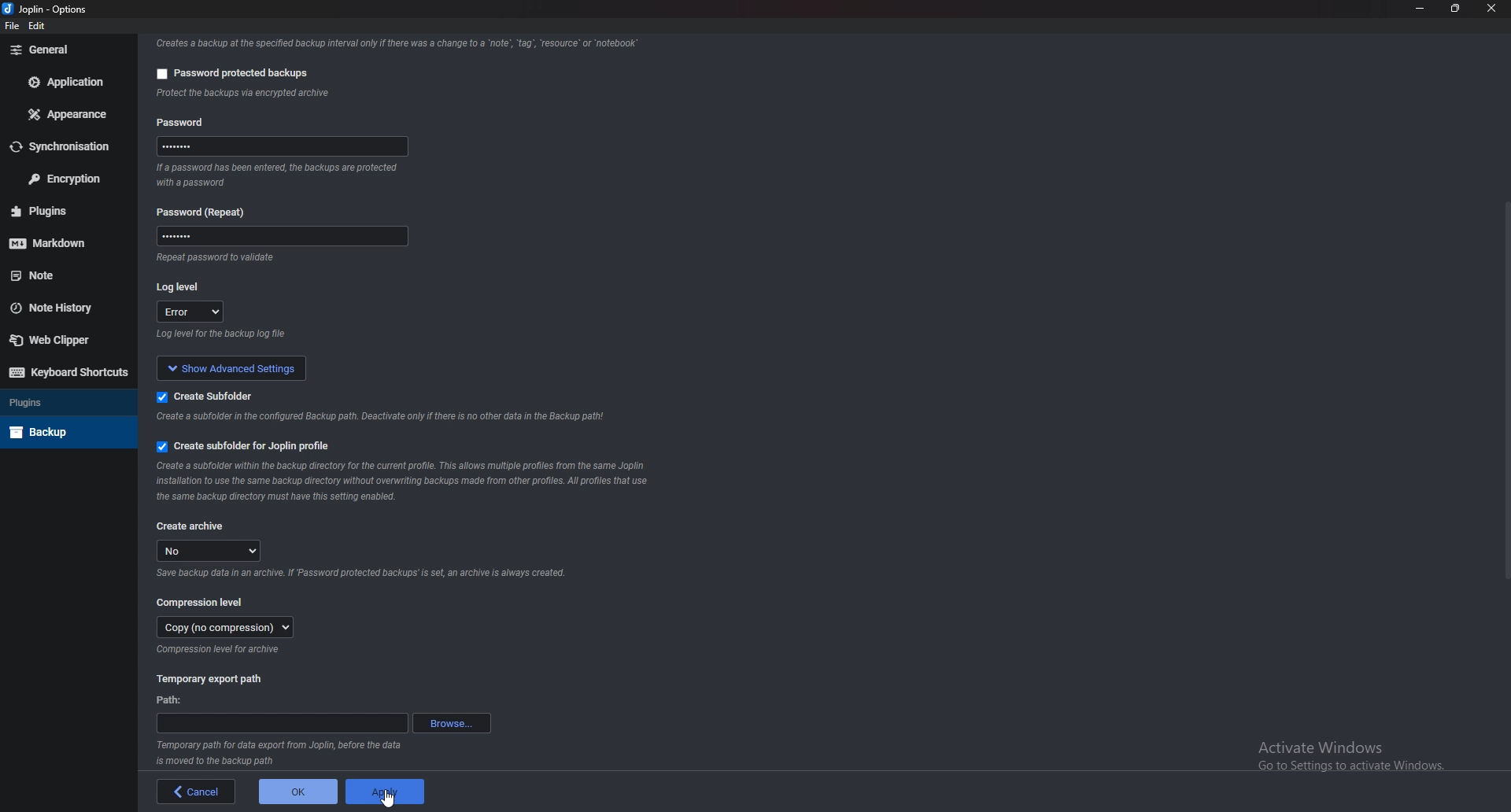 This screenshot has height=812, width=1511. What do you see at coordinates (223, 629) in the screenshot?
I see `copy (no compression)` at bounding box center [223, 629].